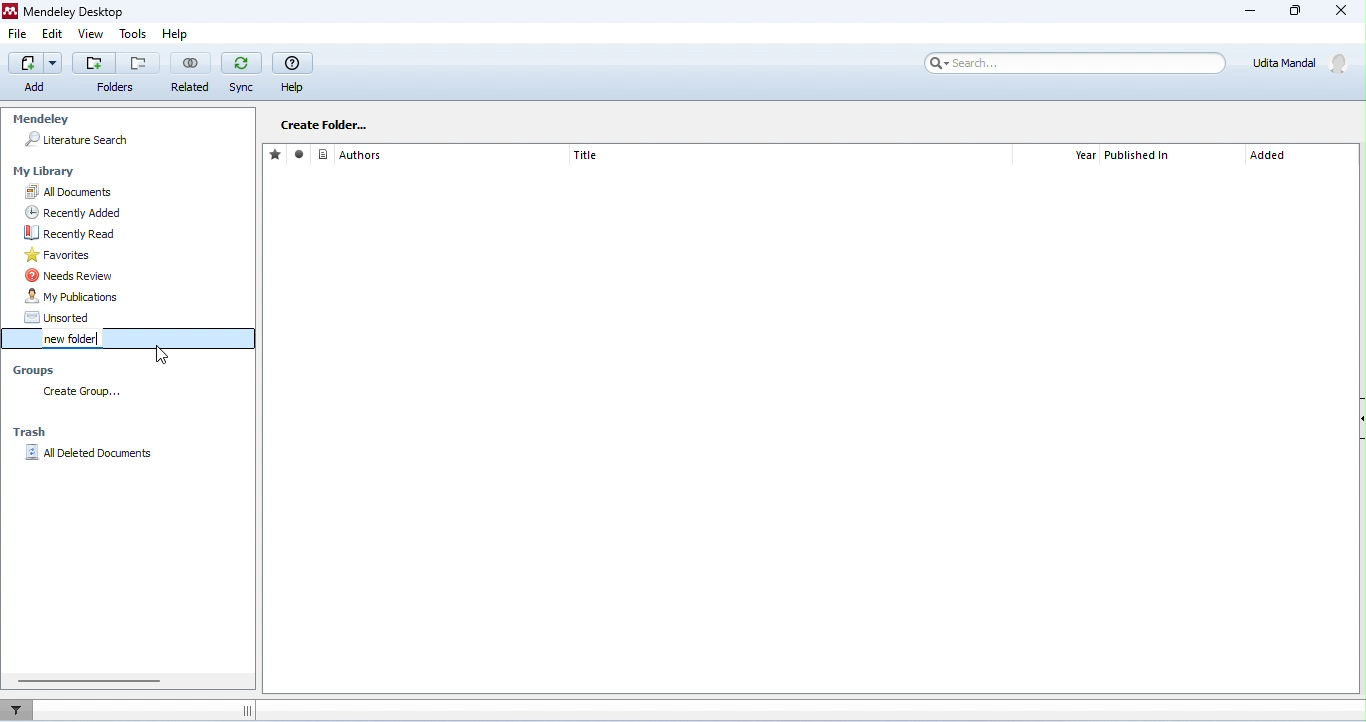 The width and height of the screenshot is (1366, 722). What do you see at coordinates (1304, 63) in the screenshot?
I see `account details` at bounding box center [1304, 63].